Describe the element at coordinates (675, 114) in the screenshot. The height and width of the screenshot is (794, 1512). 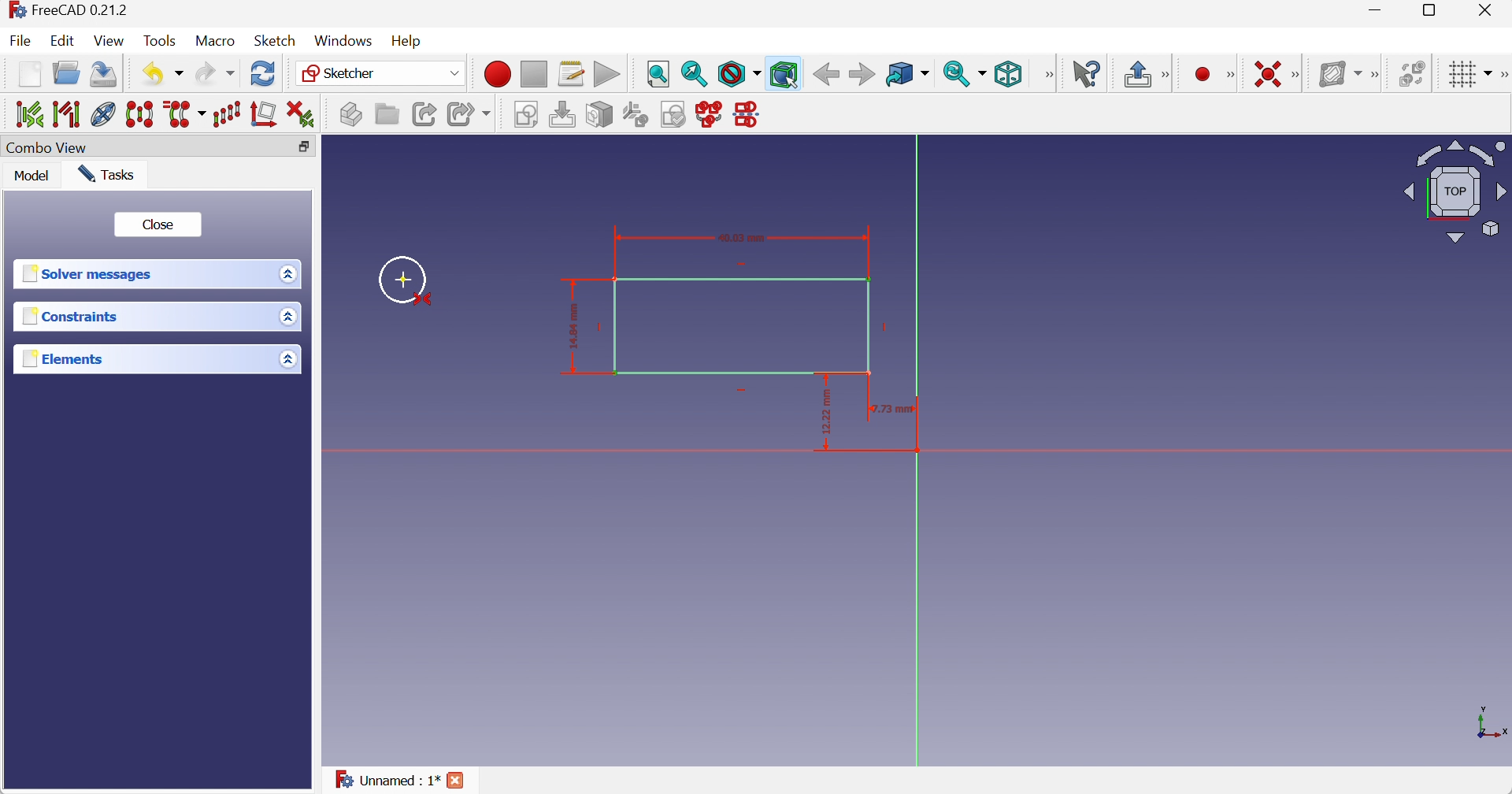
I see `Validate sketch` at that location.